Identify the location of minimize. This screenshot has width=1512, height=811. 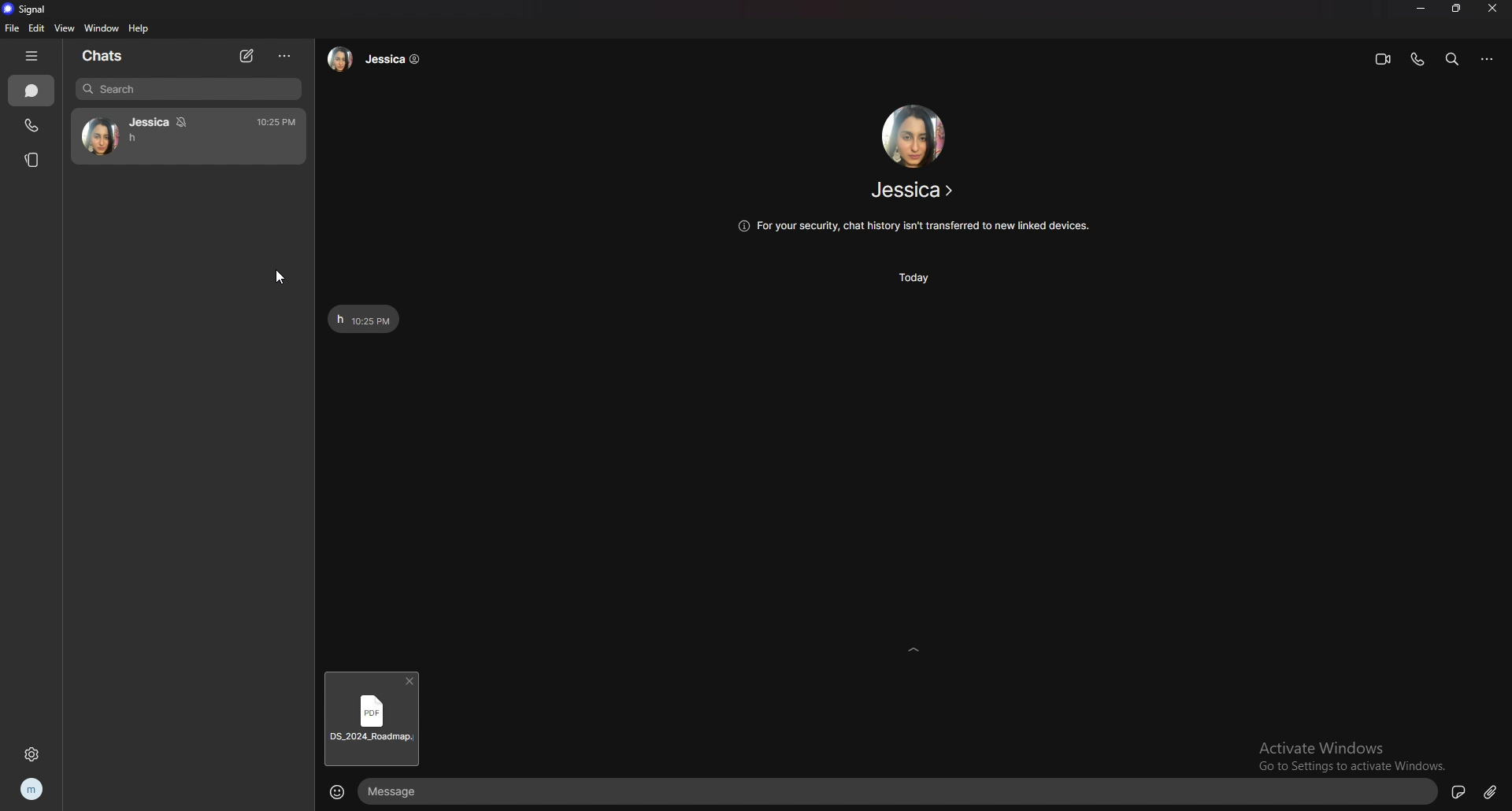
(1422, 9).